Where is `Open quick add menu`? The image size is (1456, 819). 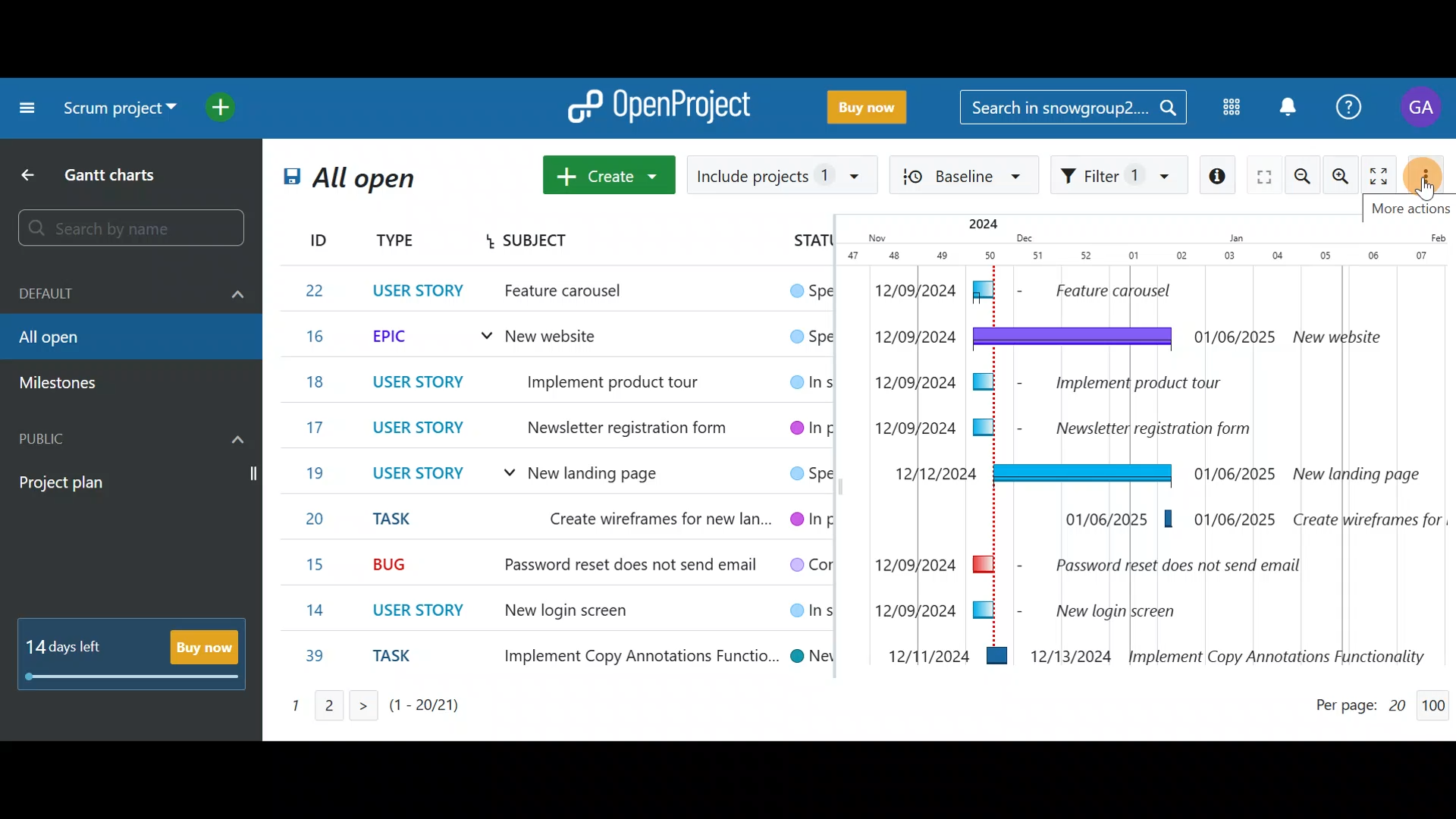 Open quick add menu is located at coordinates (222, 111).